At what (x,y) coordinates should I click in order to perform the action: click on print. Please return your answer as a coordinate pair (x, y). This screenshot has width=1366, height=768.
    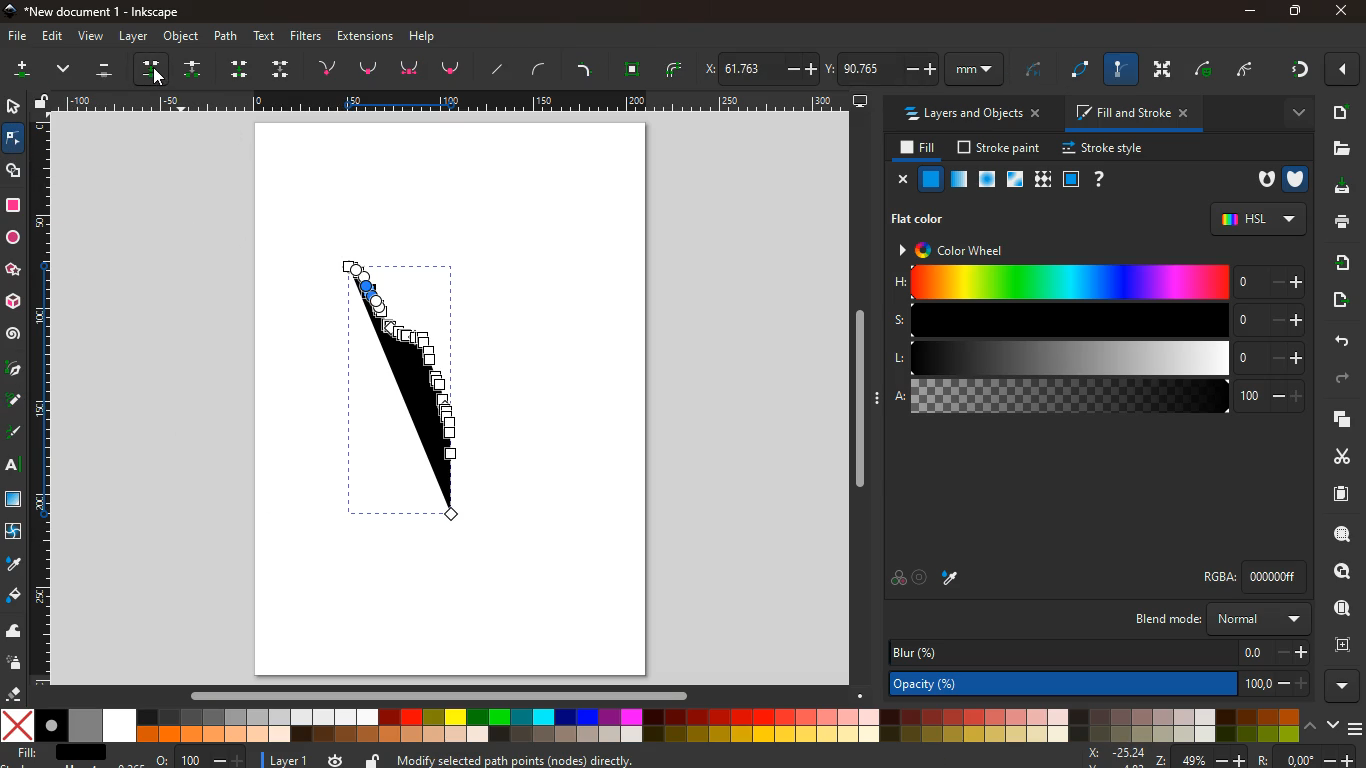
    Looking at the image, I should click on (1341, 223).